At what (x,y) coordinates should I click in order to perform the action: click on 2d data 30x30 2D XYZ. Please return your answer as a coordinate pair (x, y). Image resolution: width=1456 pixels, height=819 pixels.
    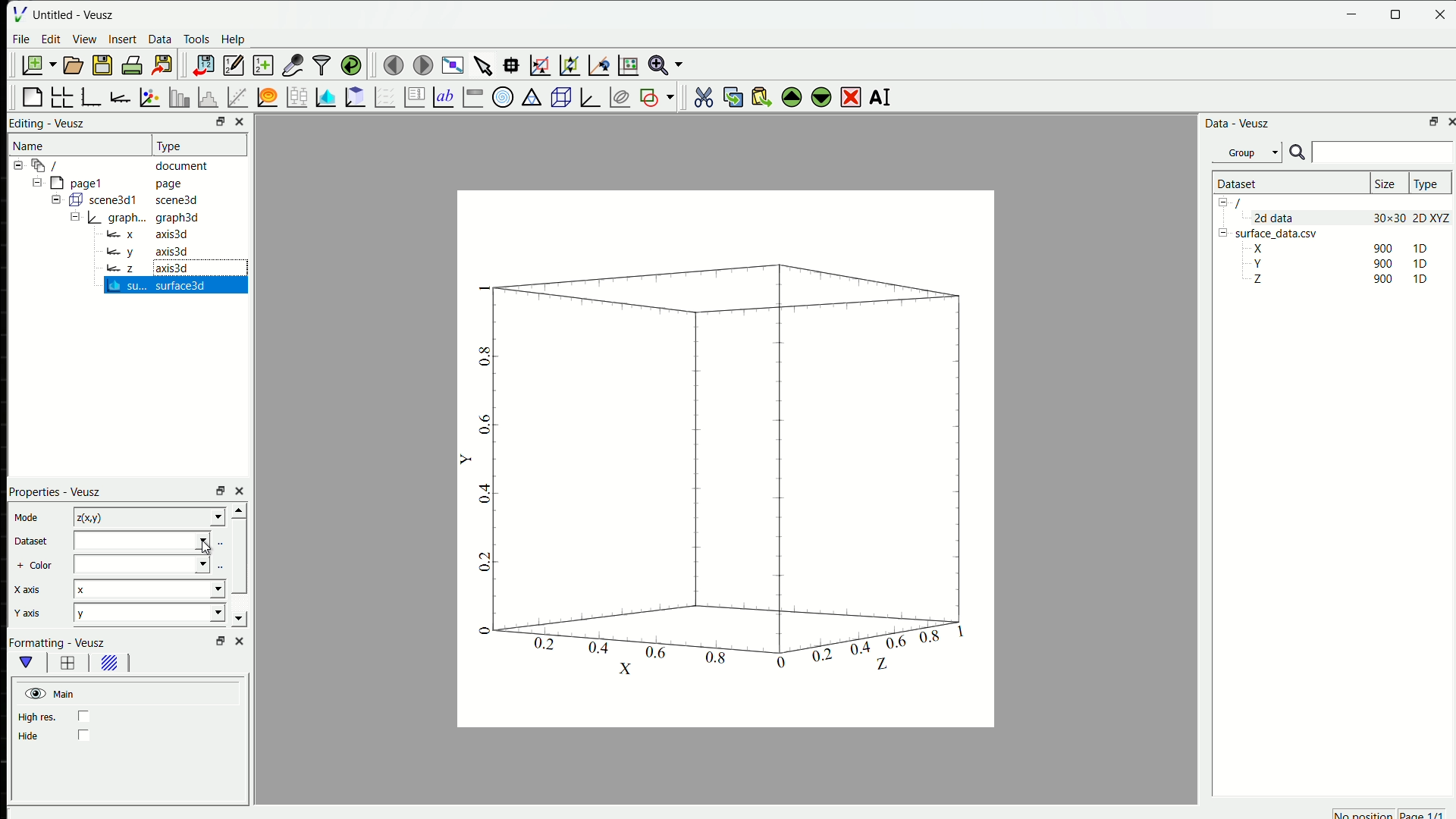
    Looking at the image, I should click on (1353, 218).